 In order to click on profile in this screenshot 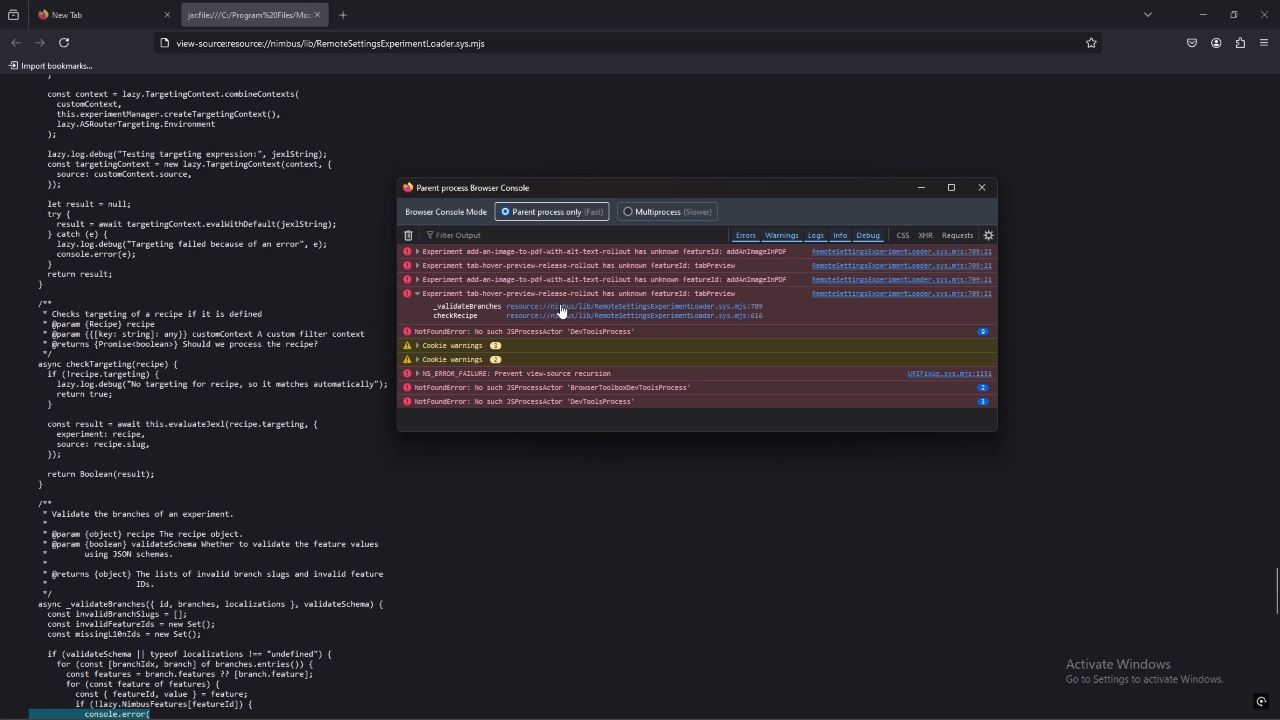, I will do `click(1217, 43)`.